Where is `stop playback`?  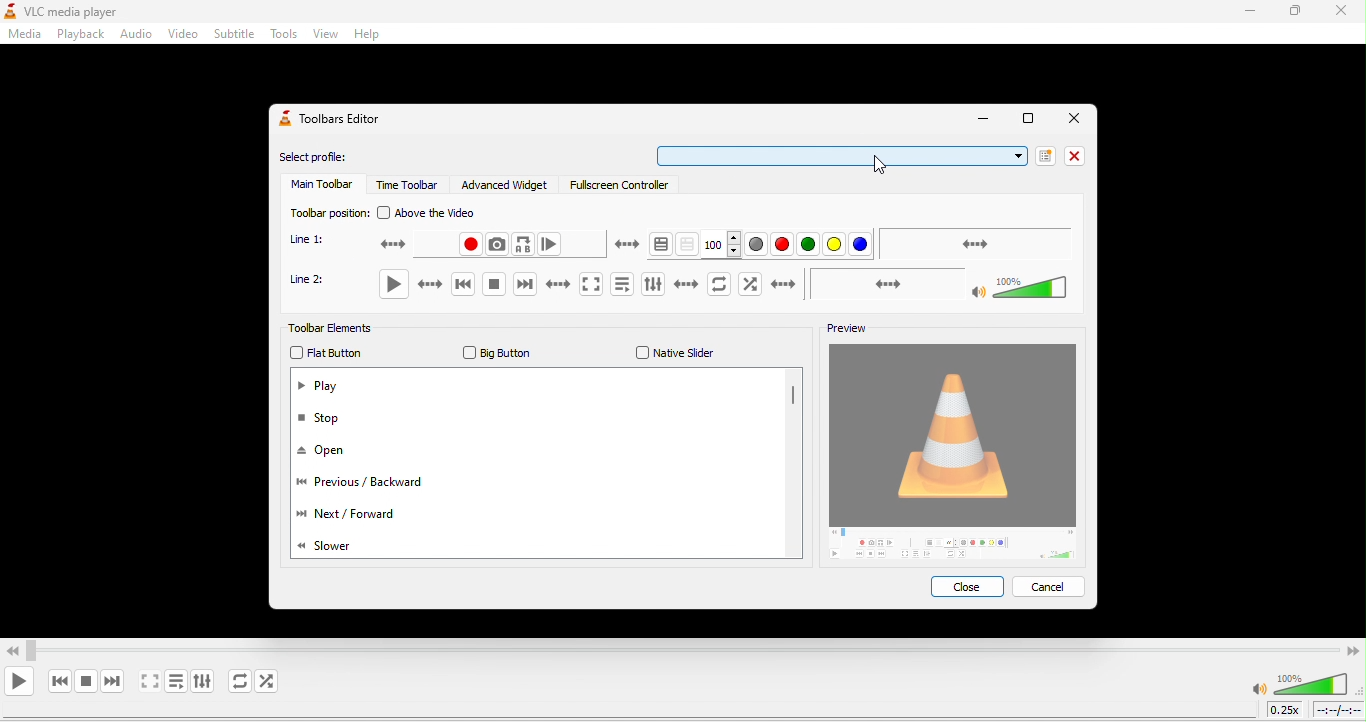
stop playback is located at coordinates (87, 680).